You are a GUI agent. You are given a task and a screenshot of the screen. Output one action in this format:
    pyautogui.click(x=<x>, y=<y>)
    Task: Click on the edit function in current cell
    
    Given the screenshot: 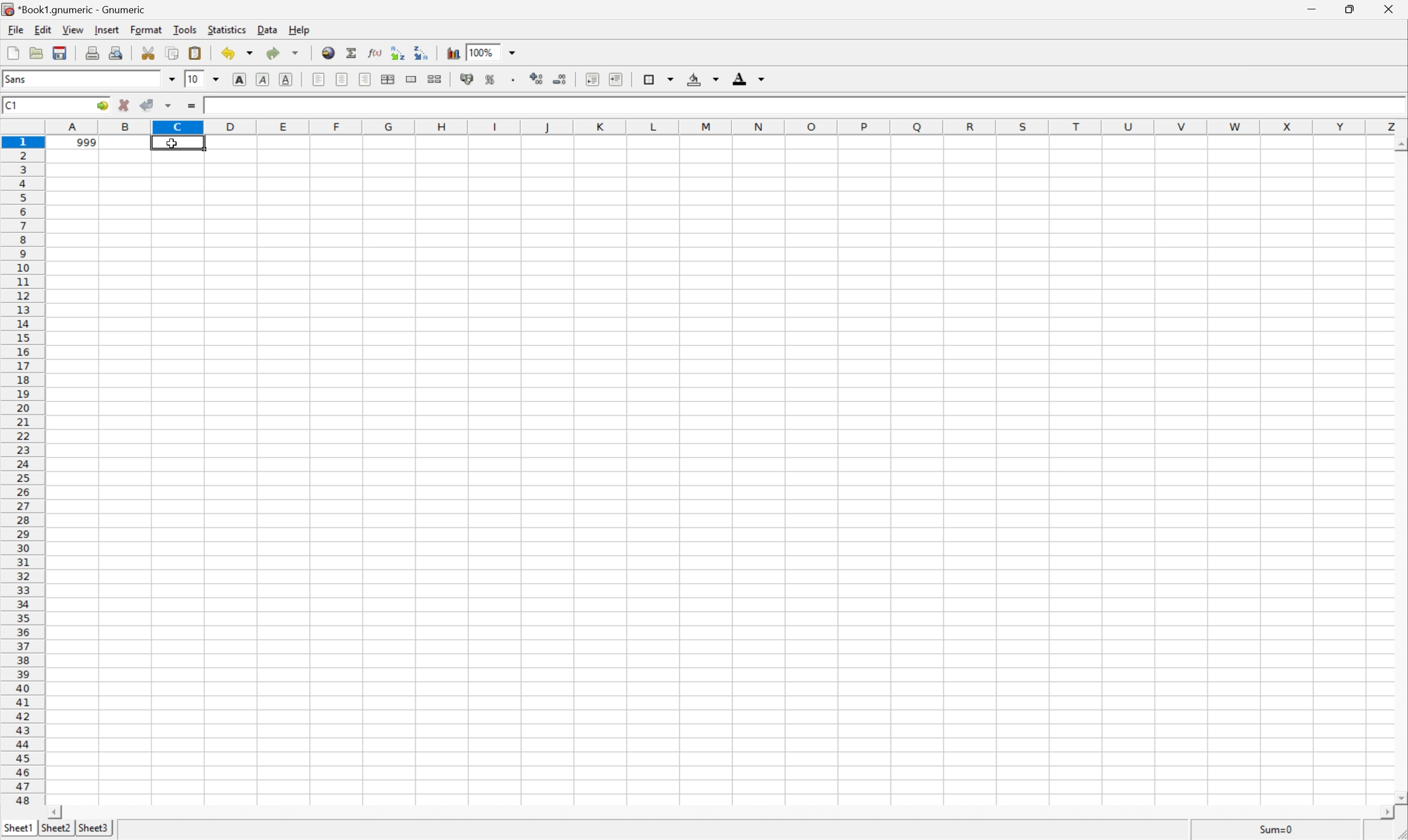 What is the action you would take?
    pyautogui.click(x=374, y=54)
    